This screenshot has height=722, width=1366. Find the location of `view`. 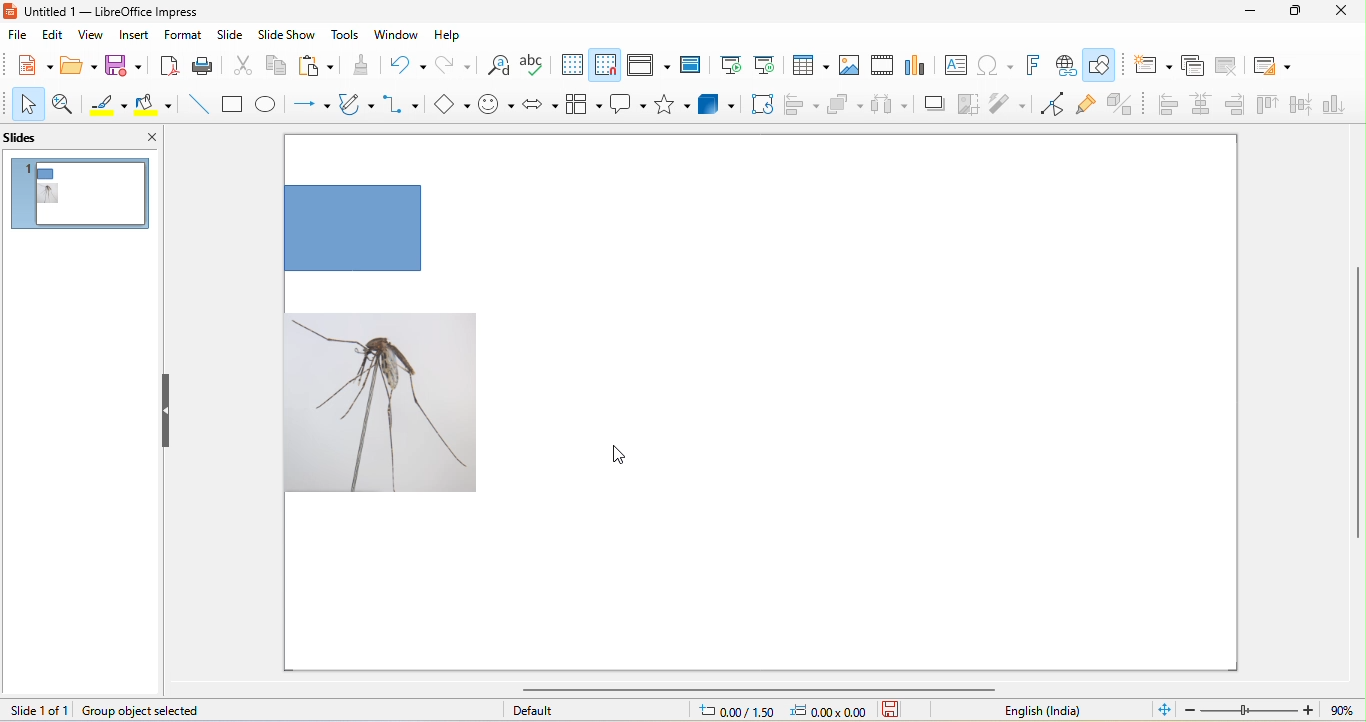

view is located at coordinates (89, 37).